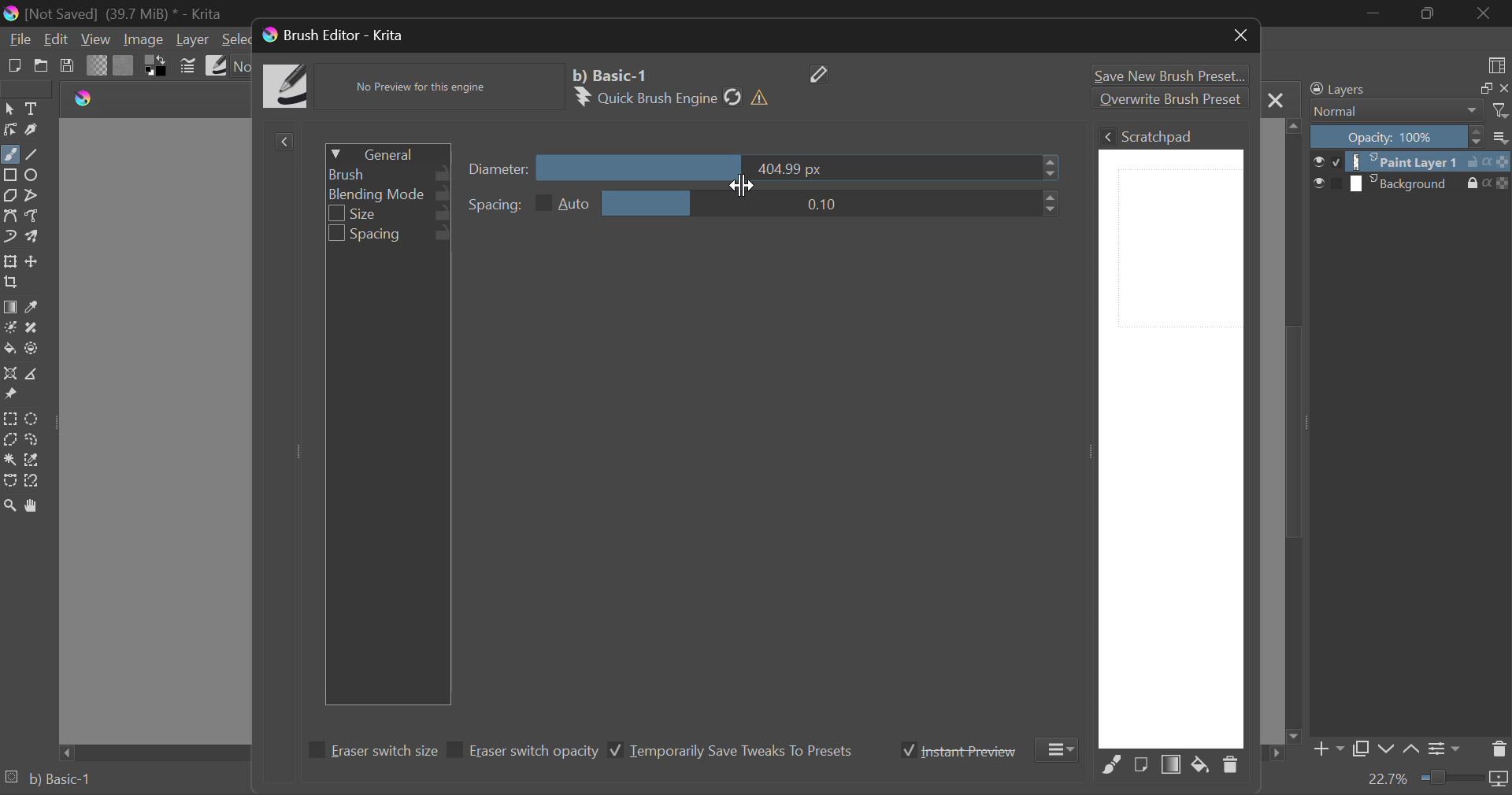 Image resolution: width=1512 pixels, height=795 pixels. I want to click on Opacity, so click(1410, 138).